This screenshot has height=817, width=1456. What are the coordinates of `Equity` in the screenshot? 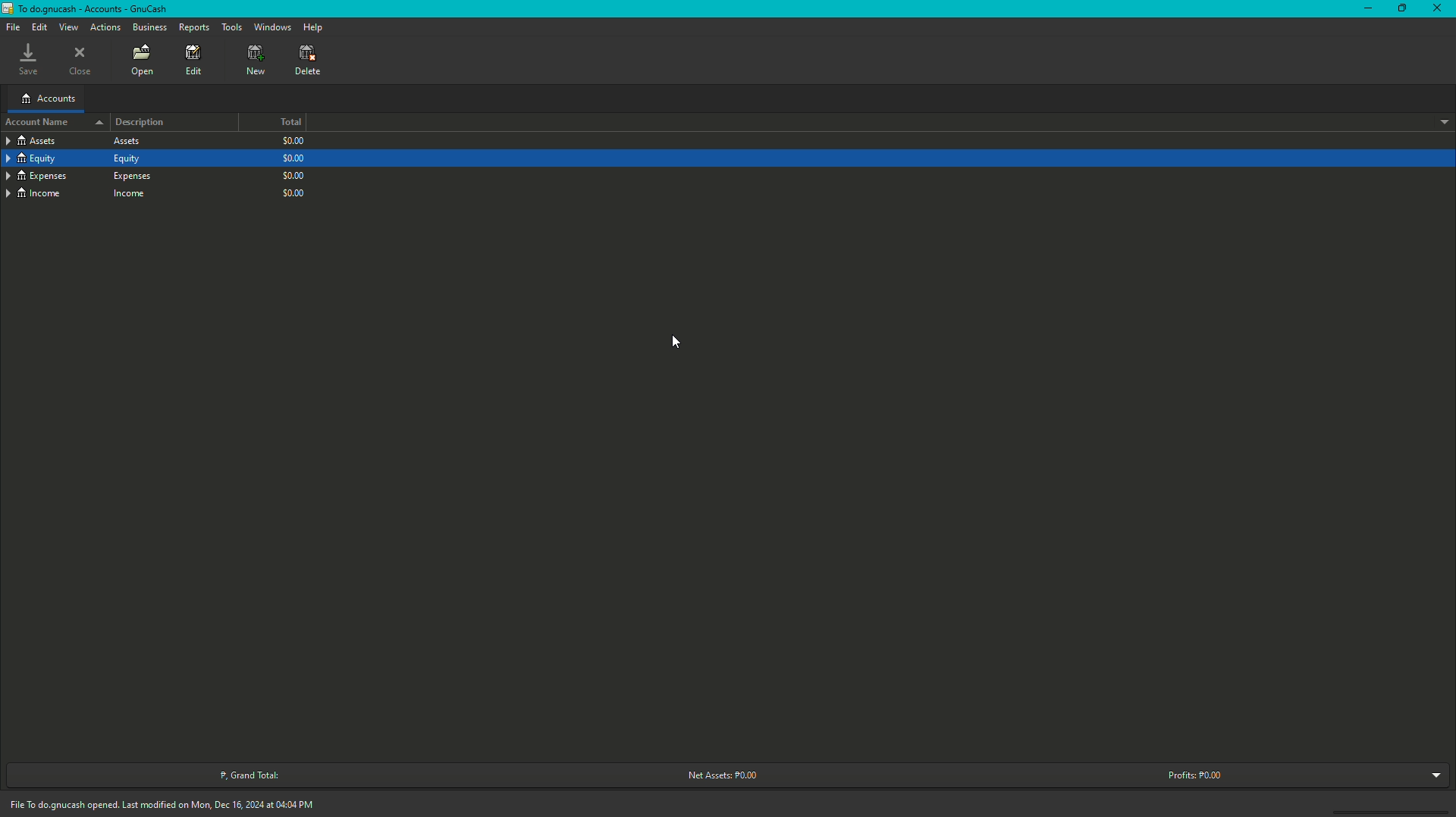 It's located at (74, 158).